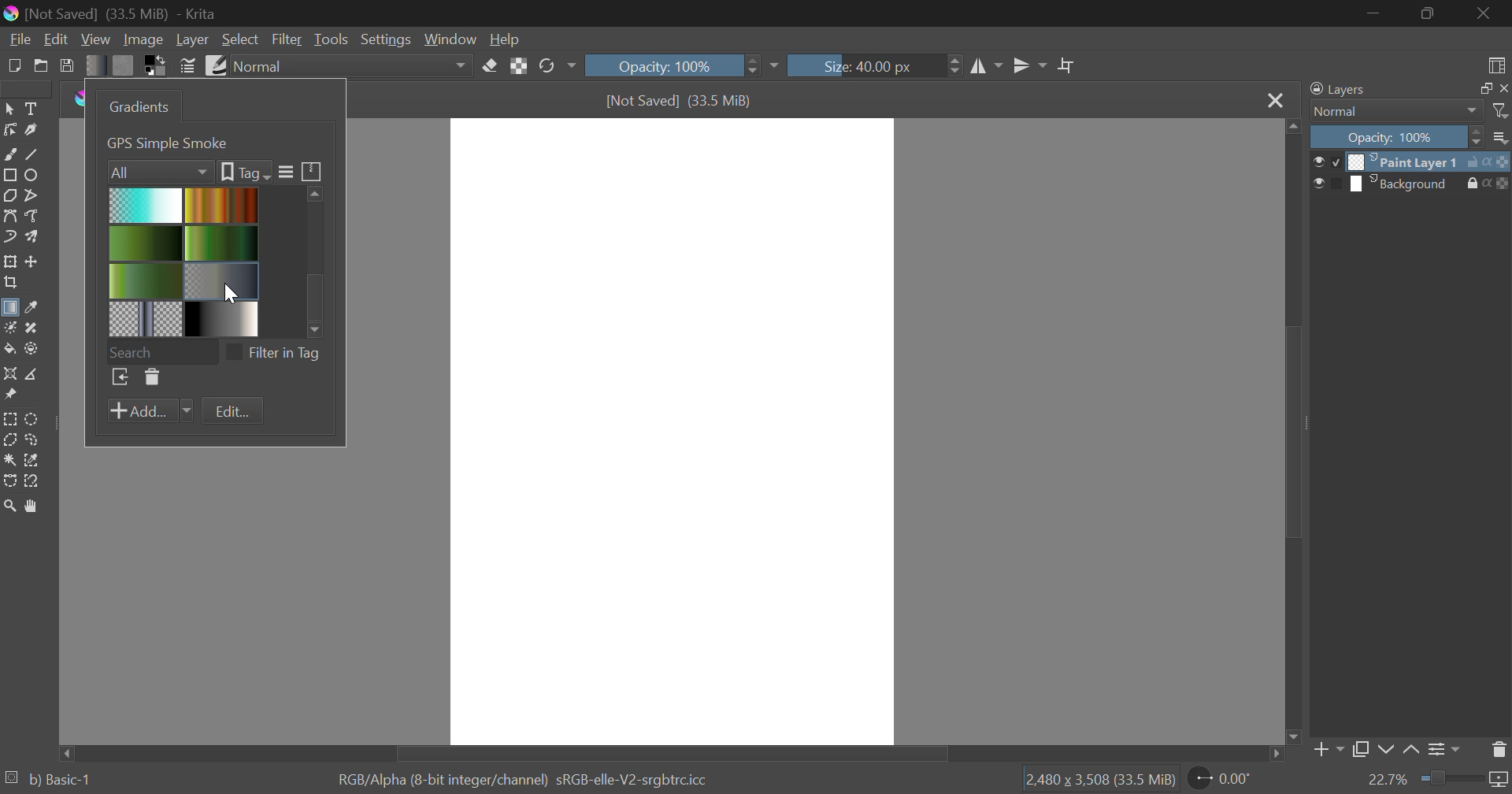 Image resolution: width=1512 pixels, height=794 pixels. What do you see at coordinates (9, 349) in the screenshot?
I see `Fill` at bounding box center [9, 349].